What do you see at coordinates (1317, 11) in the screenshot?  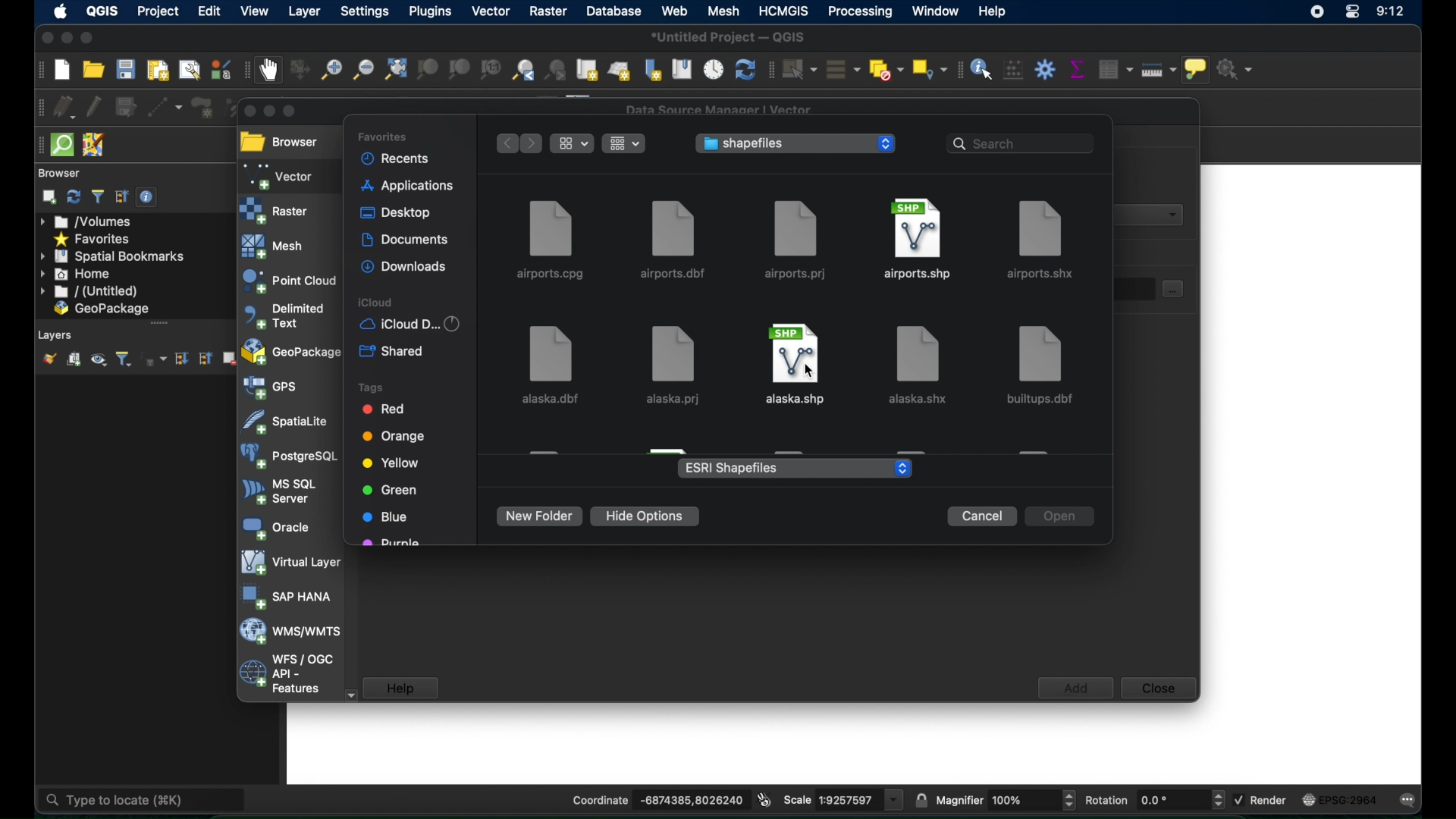 I see `screen recorder icon` at bounding box center [1317, 11].